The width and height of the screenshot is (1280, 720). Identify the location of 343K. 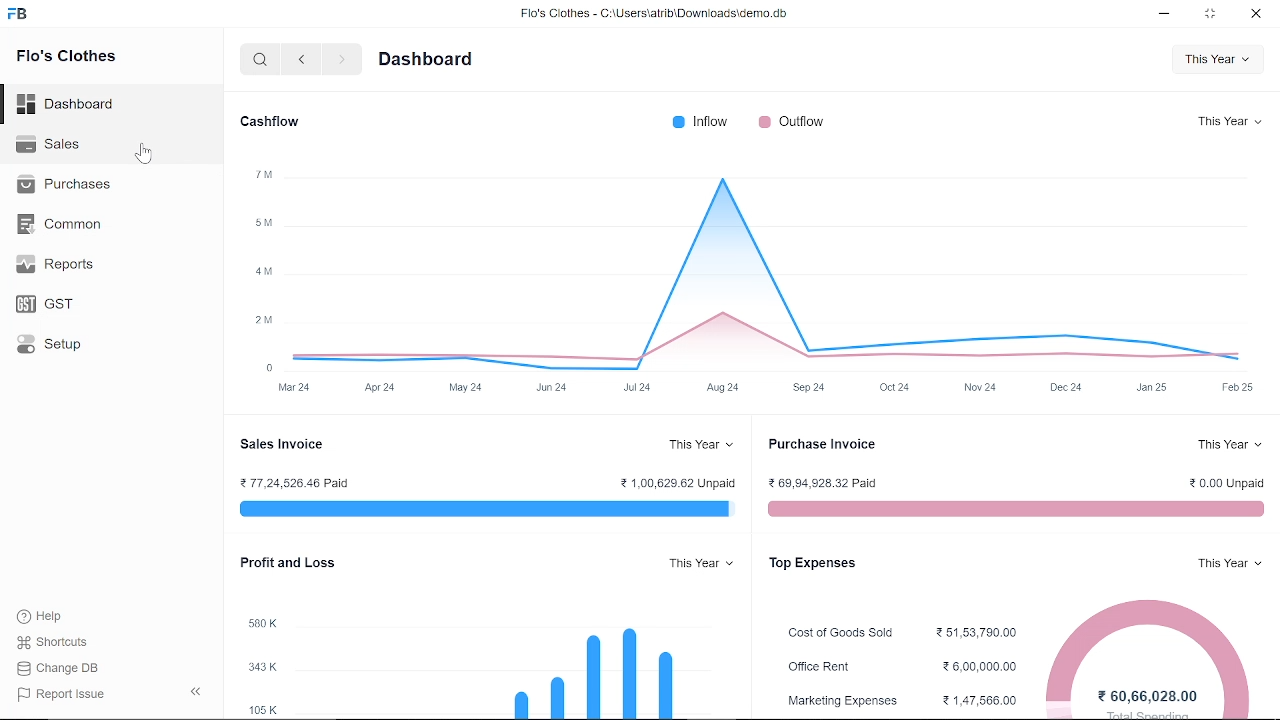
(265, 667).